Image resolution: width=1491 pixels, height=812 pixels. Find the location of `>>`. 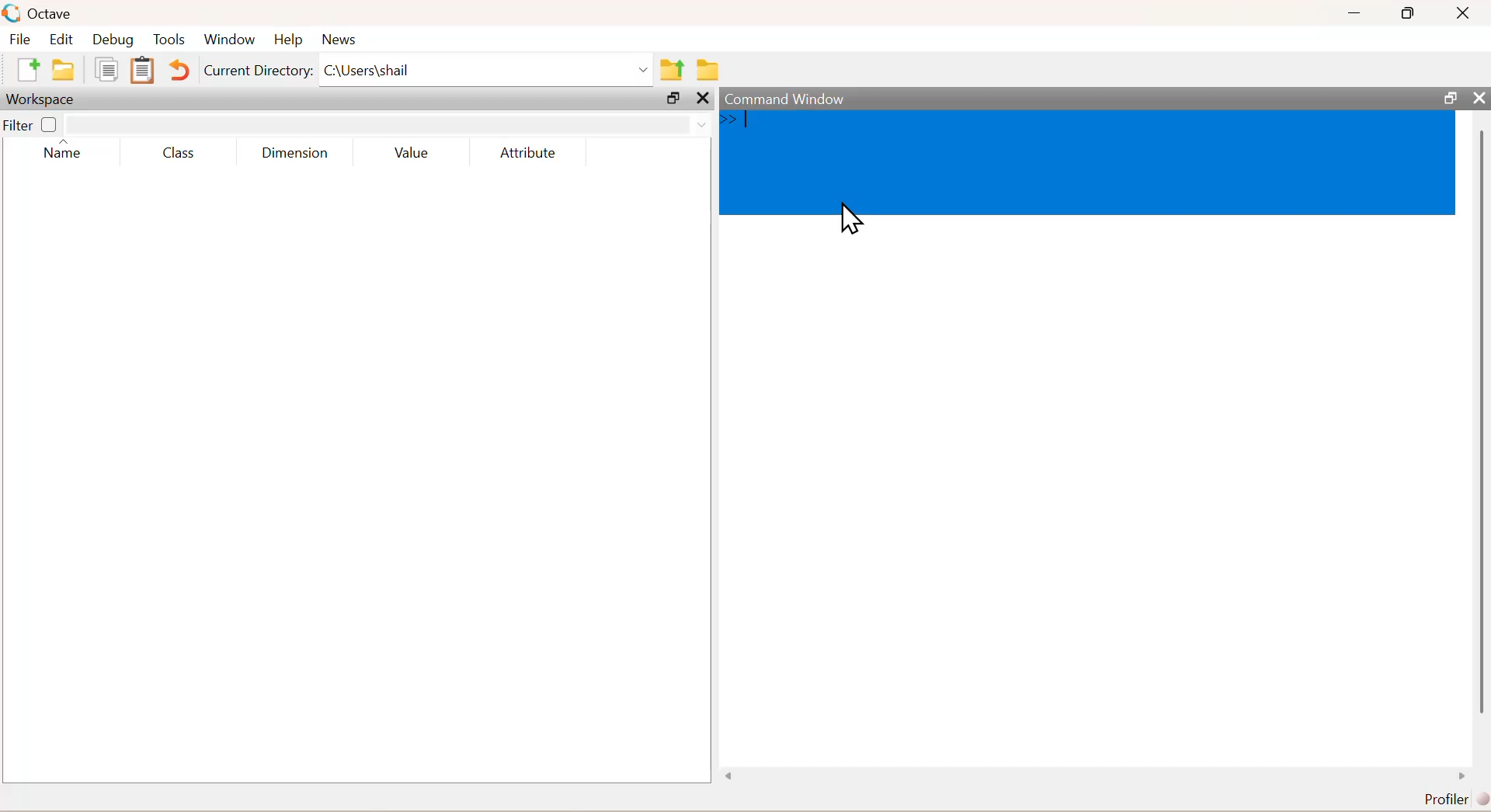

>> is located at coordinates (730, 119).